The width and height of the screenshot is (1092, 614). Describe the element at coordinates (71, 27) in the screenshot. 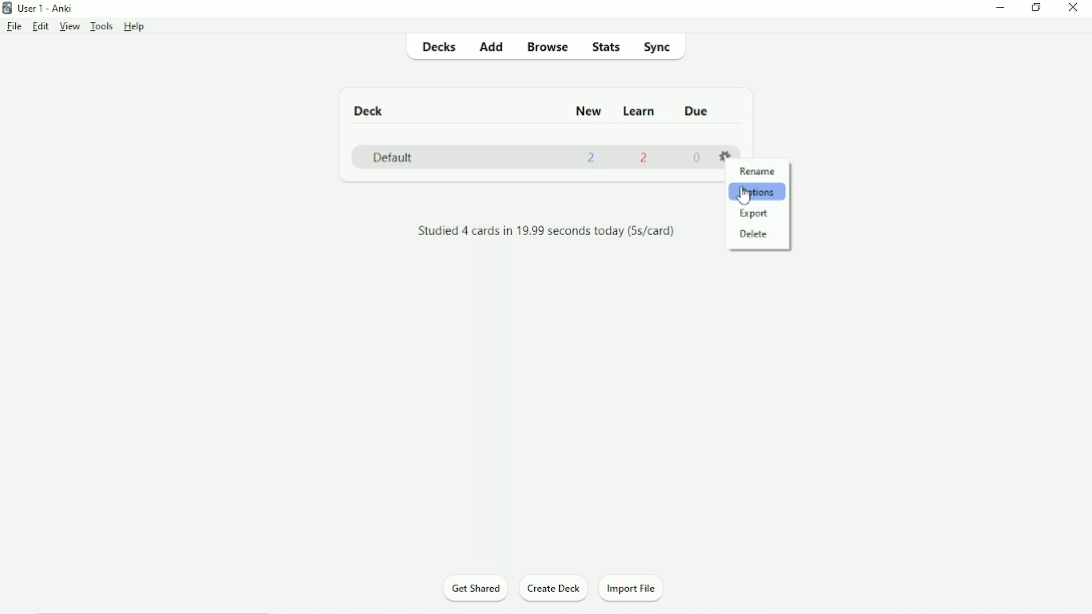

I see `View` at that location.